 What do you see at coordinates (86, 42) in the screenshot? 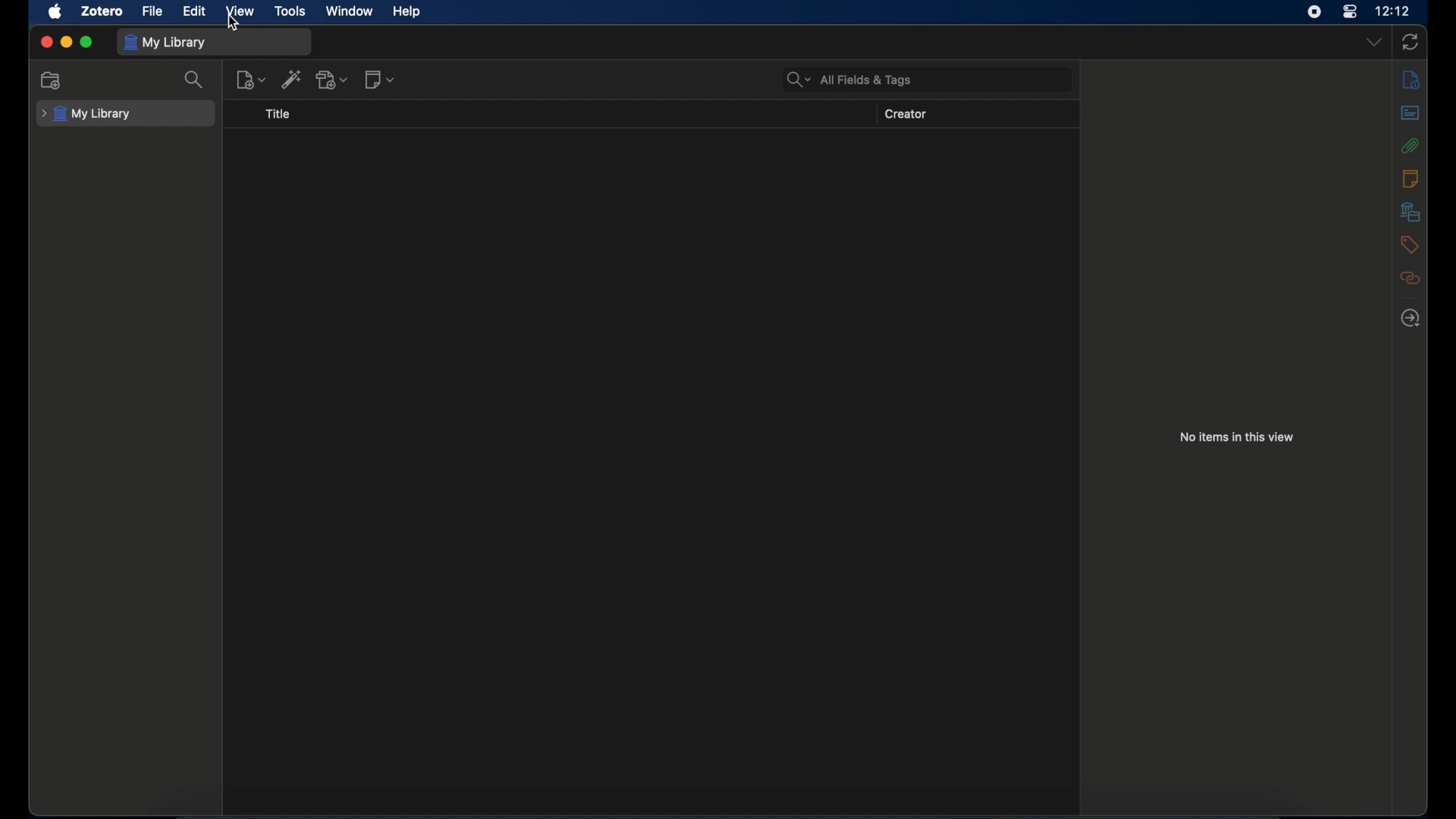
I see `maximize` at bounding box center [86, 42].